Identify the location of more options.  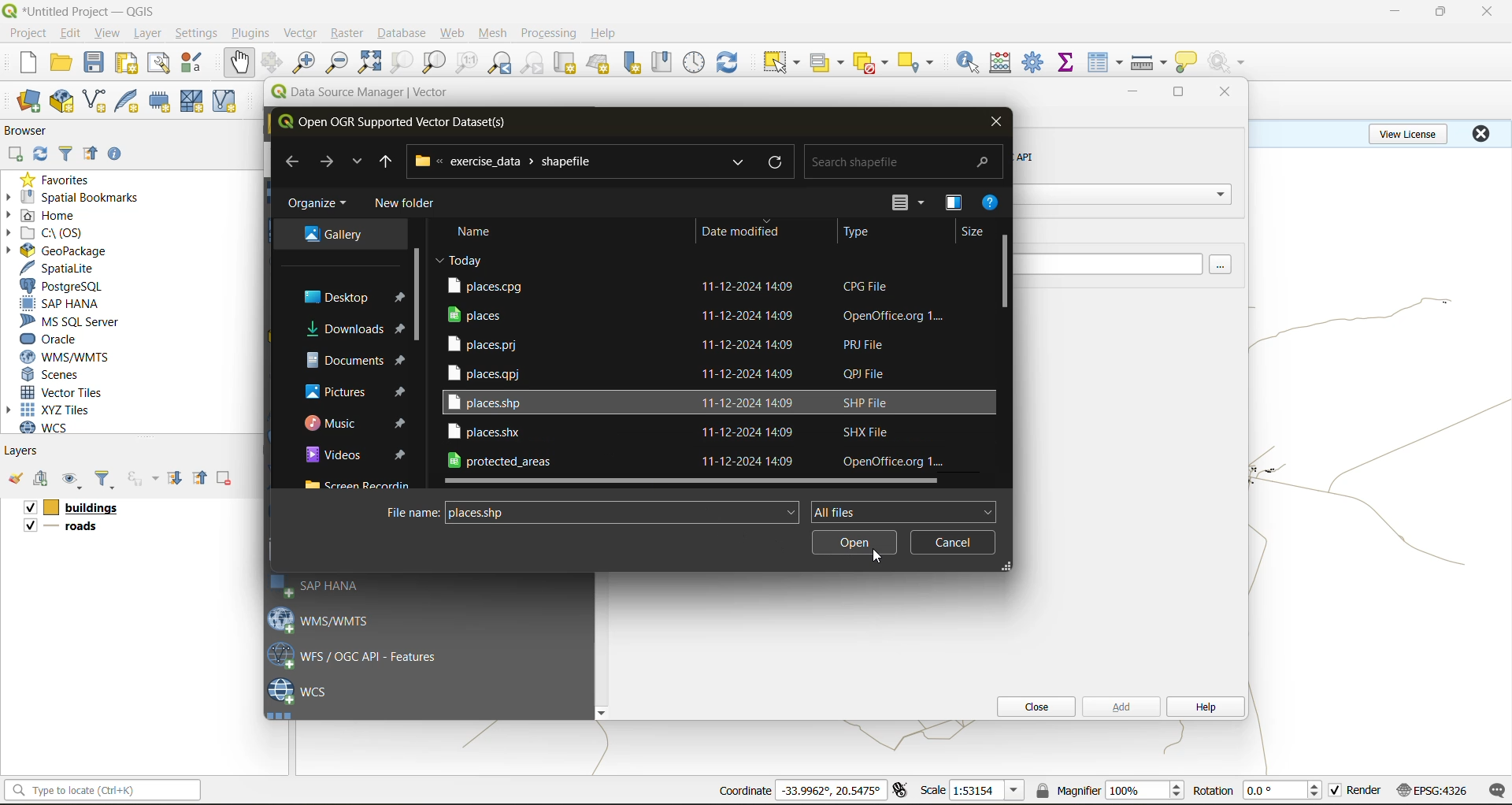
(912, 203).